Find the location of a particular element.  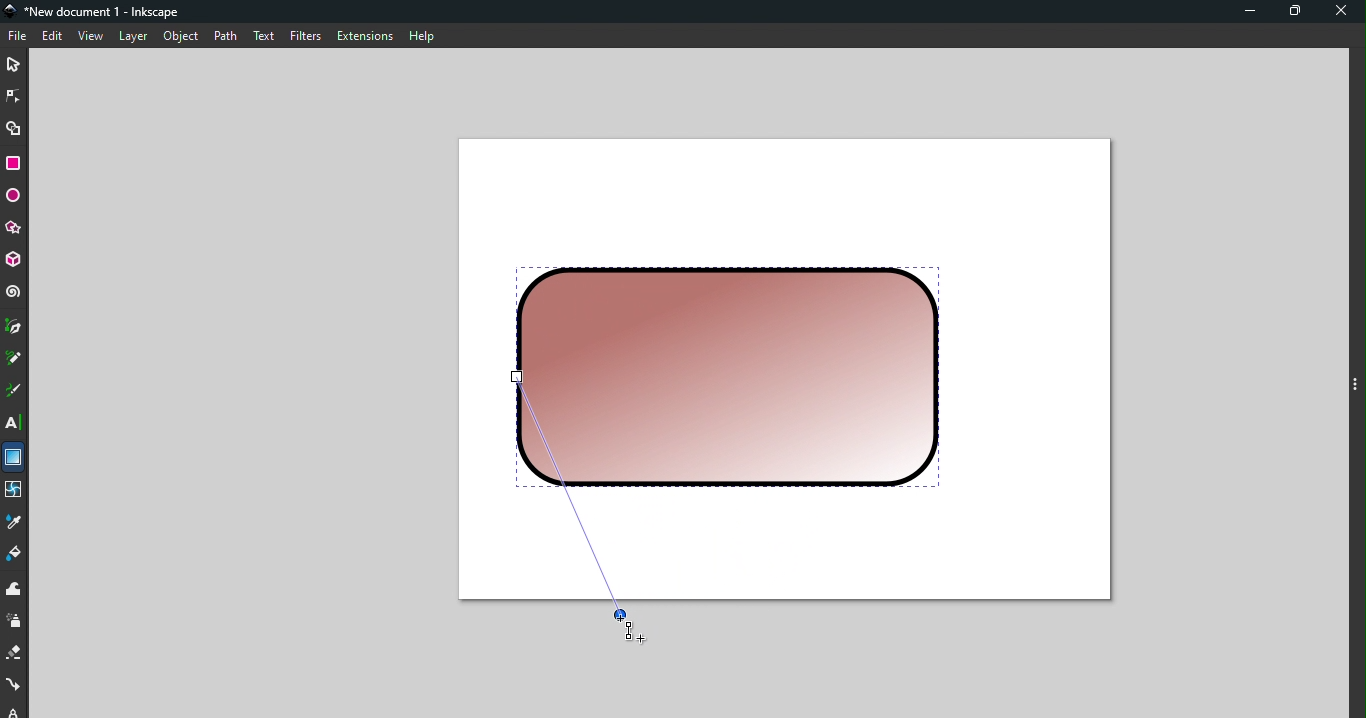

Text is located at coordinates (263, 34).